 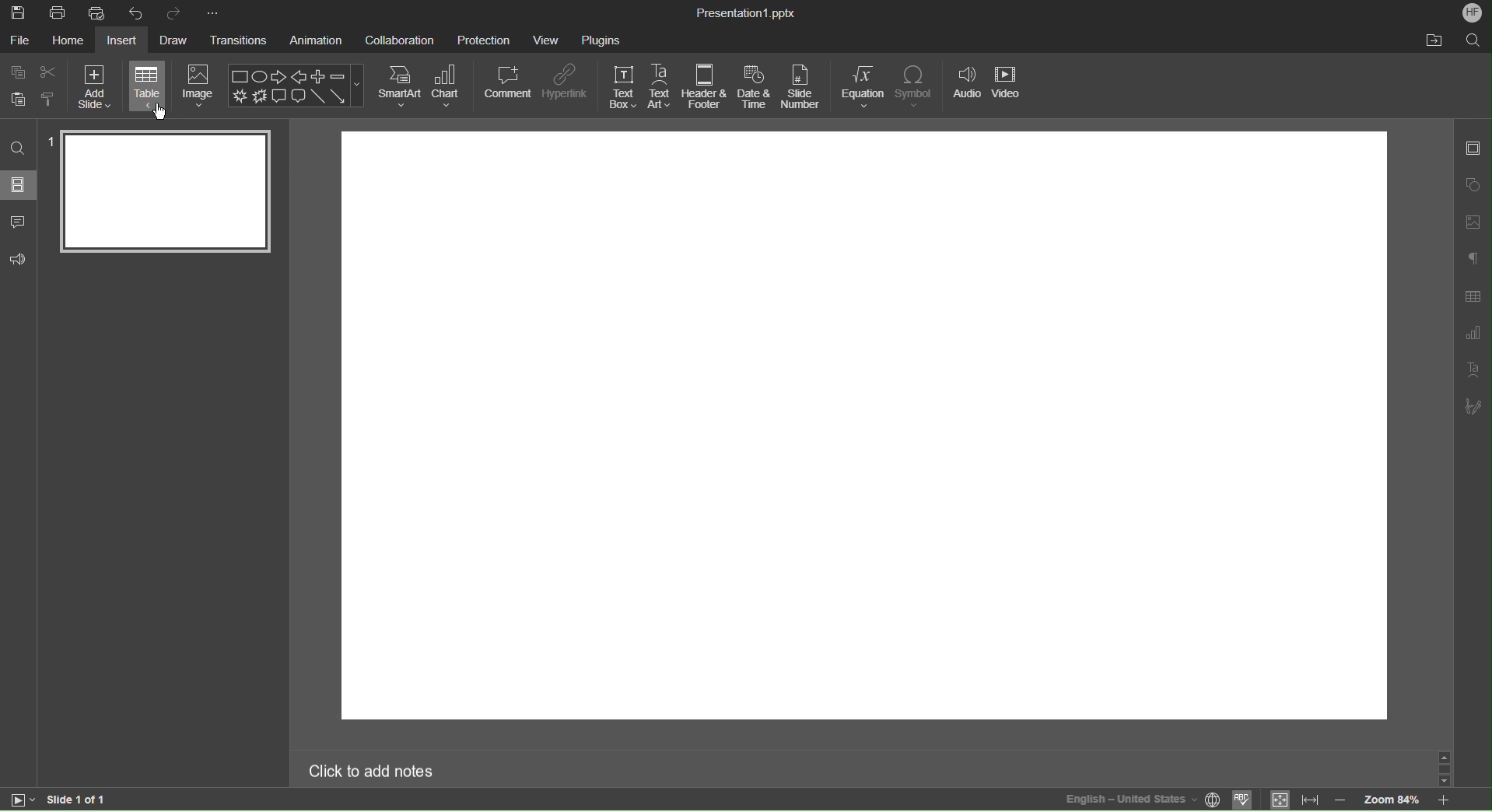 I want to click on Plugins, so click(x=601, y=38).